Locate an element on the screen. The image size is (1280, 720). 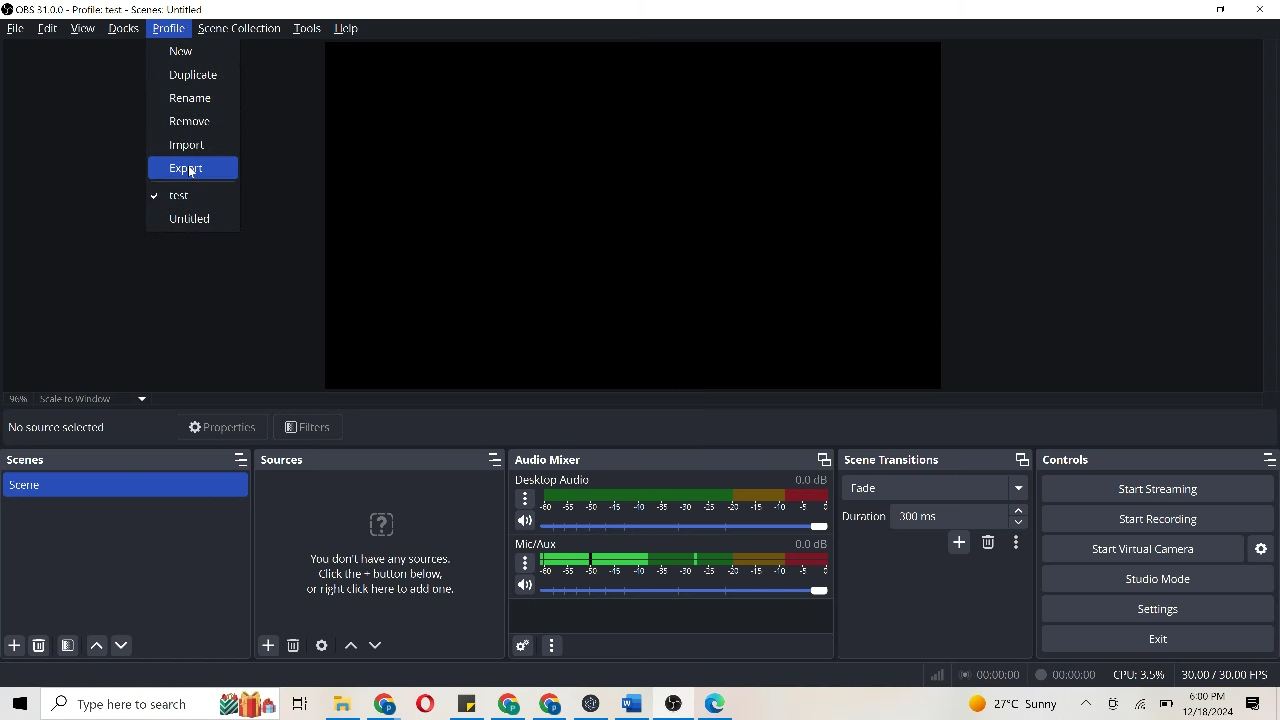
scene transitions is located at coordinates (897, 460).